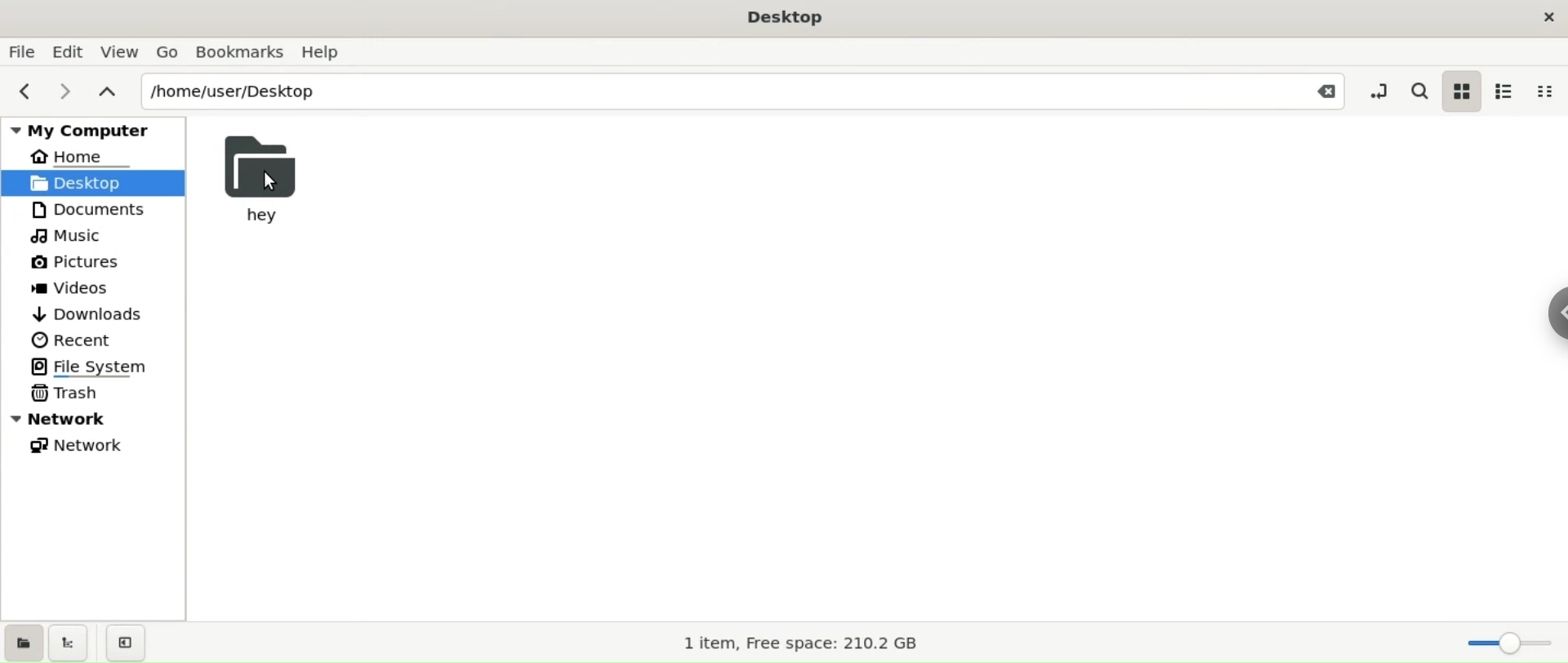  I want to click on previous, so click(23, 91).